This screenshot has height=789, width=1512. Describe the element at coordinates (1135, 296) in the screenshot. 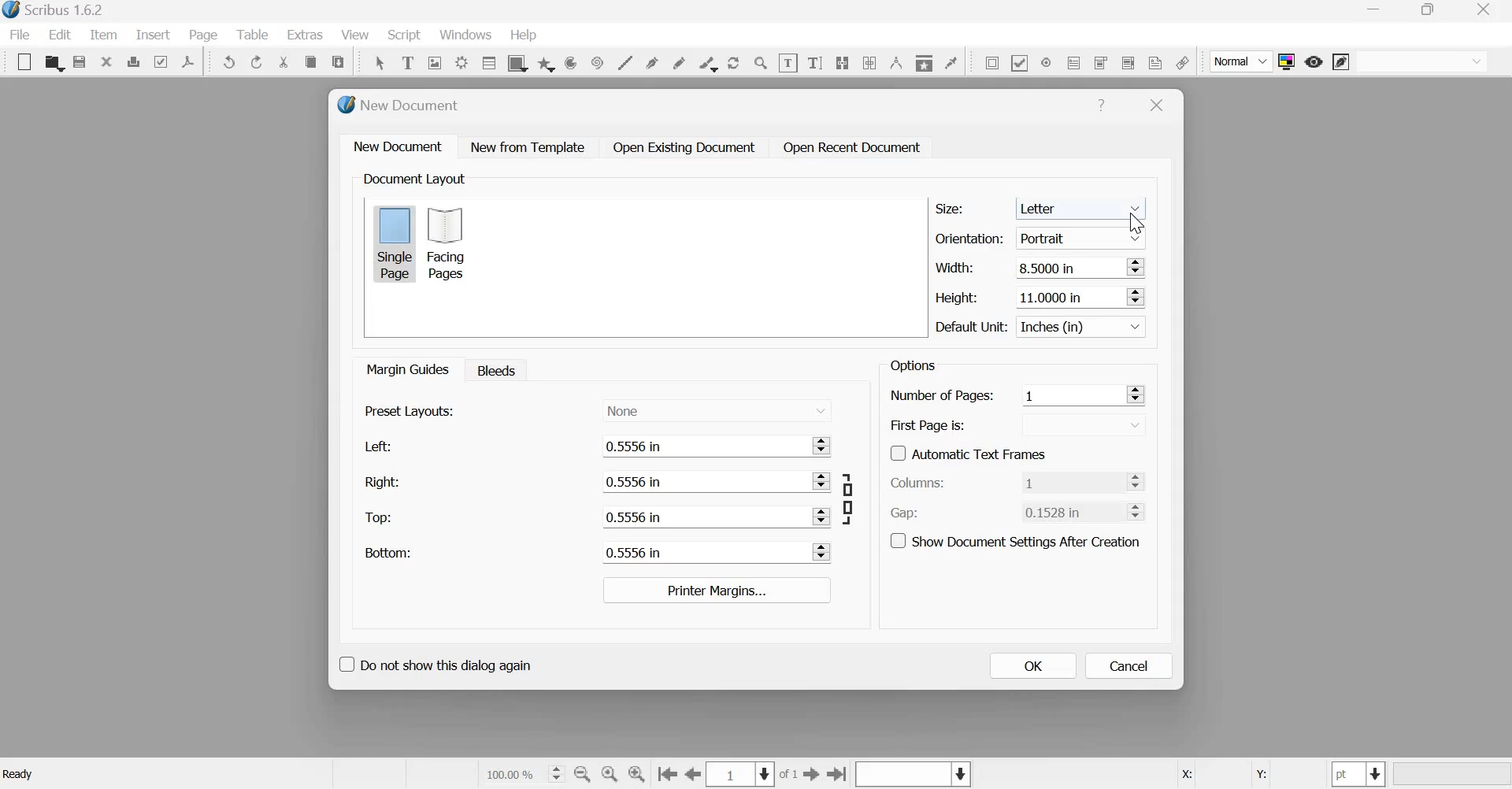

I see `Increase and Decrease` at that location.